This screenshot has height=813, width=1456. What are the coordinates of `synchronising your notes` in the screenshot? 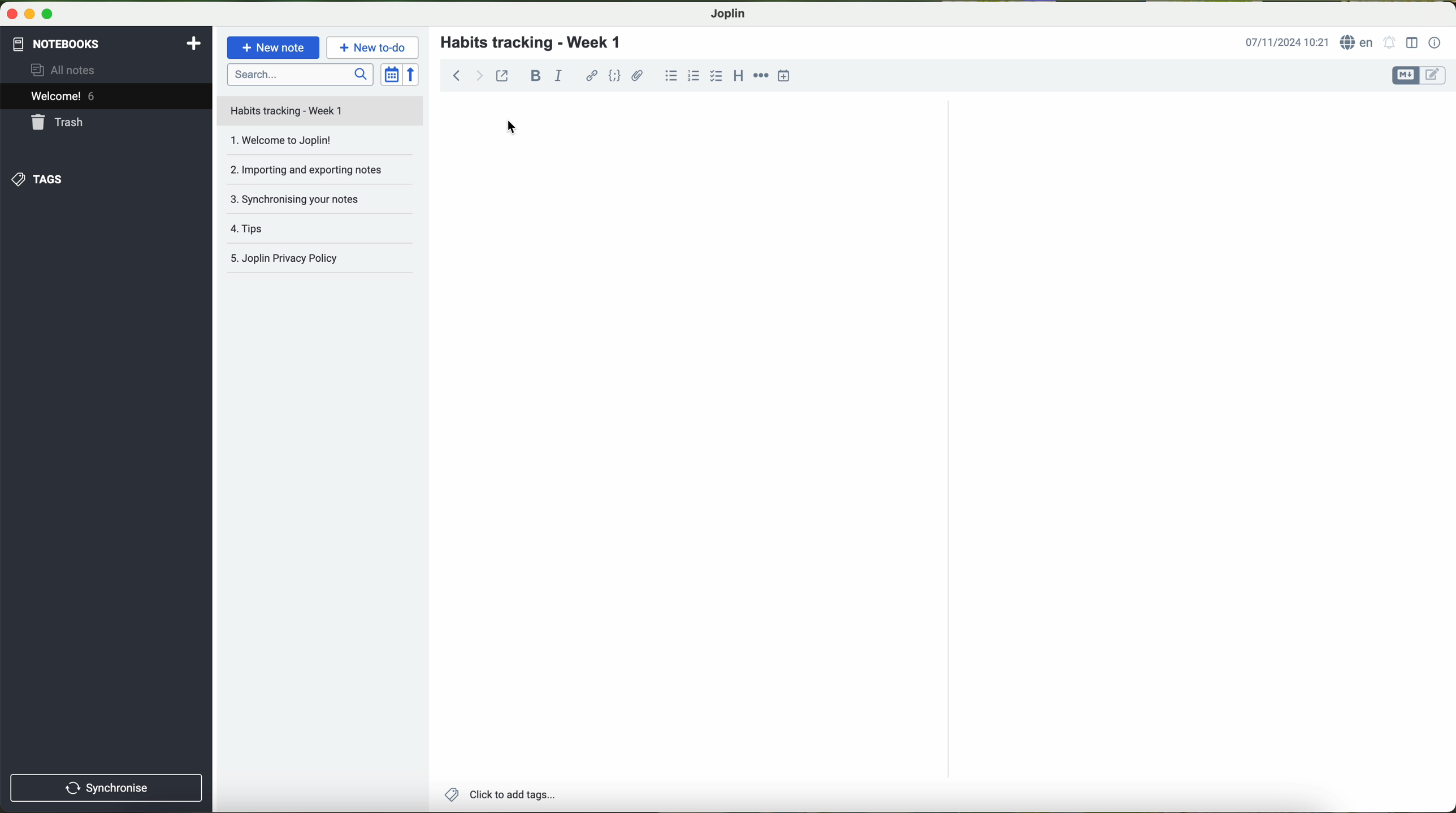 It's located at (324, 203).